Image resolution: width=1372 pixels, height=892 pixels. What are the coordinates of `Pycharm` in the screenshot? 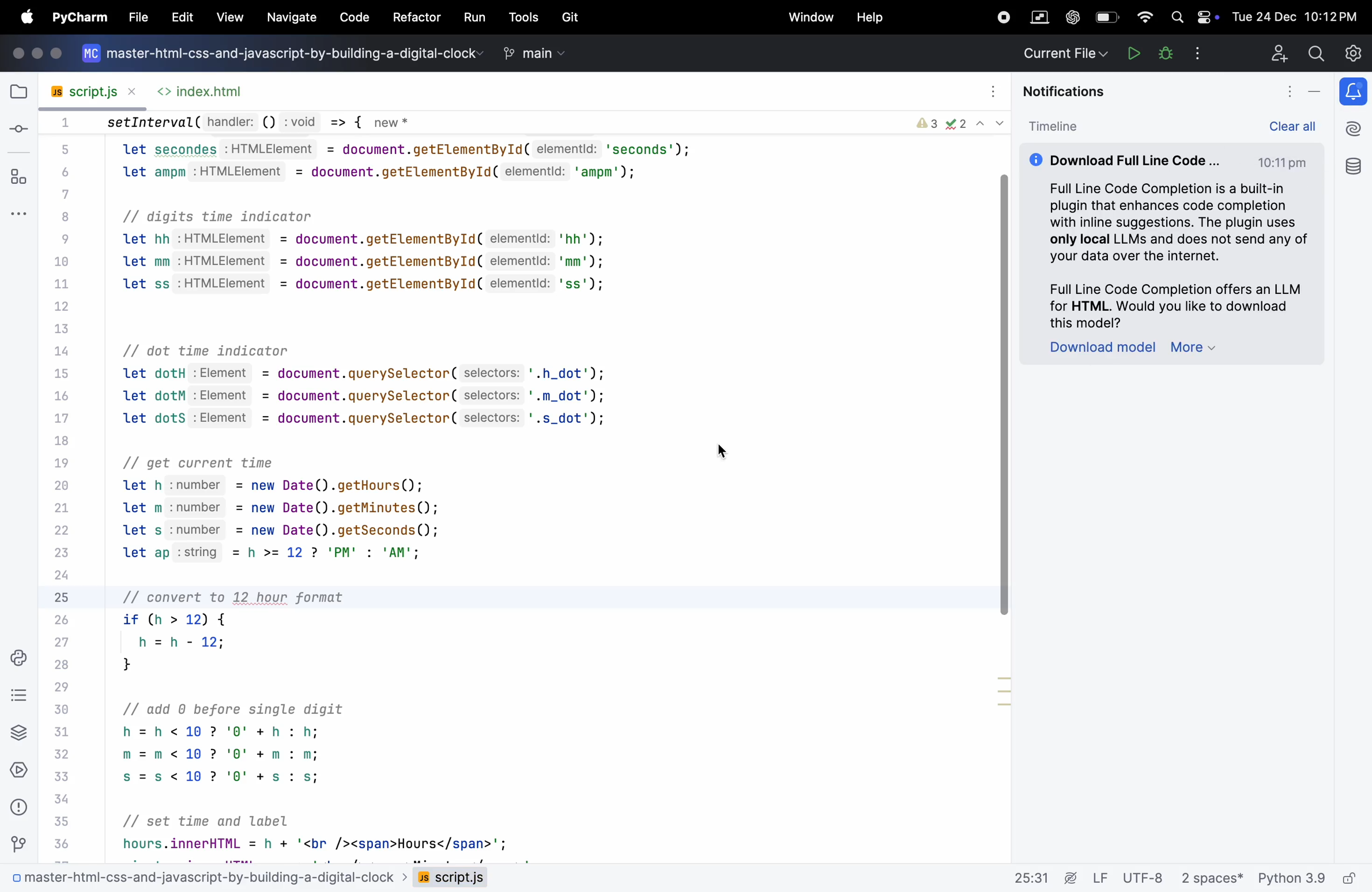 It's located at (79, 18).